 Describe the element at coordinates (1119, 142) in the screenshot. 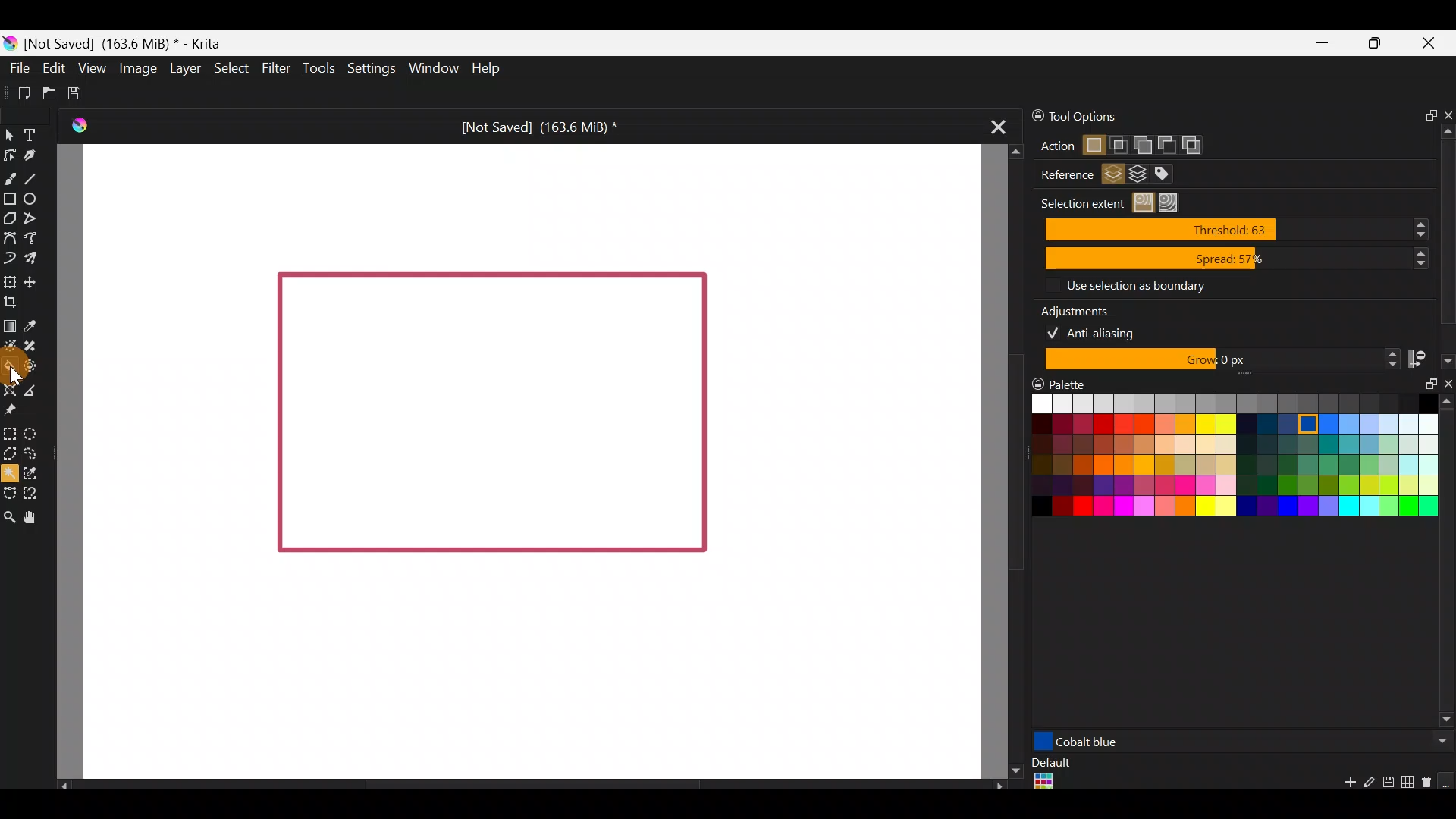

I see `Intersect` at that location.